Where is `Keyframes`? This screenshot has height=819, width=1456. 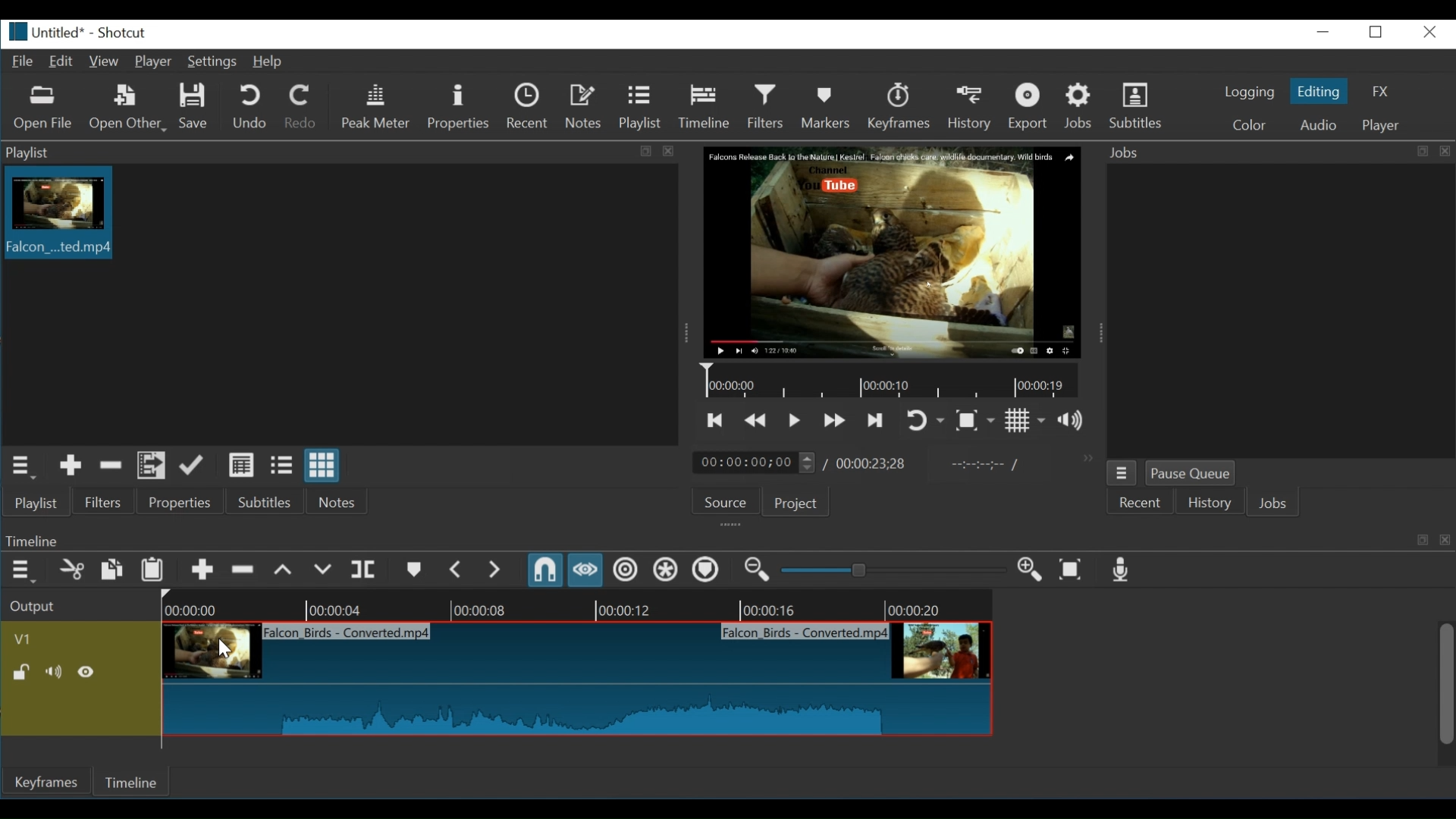 Keyframes is located at coordinates (903, 106).